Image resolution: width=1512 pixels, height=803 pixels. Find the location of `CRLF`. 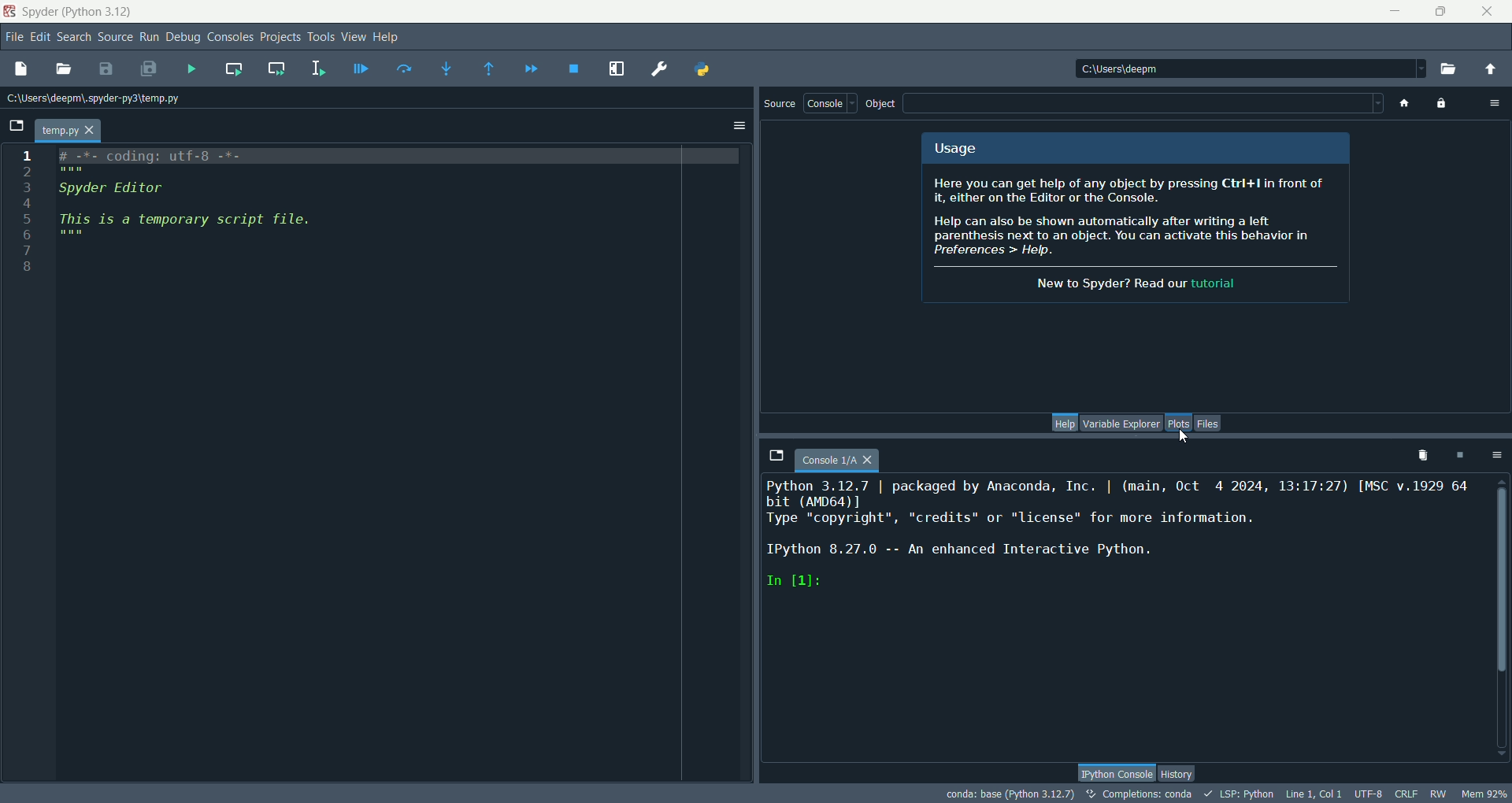

CRLF is located at coordinates (1409, 794).